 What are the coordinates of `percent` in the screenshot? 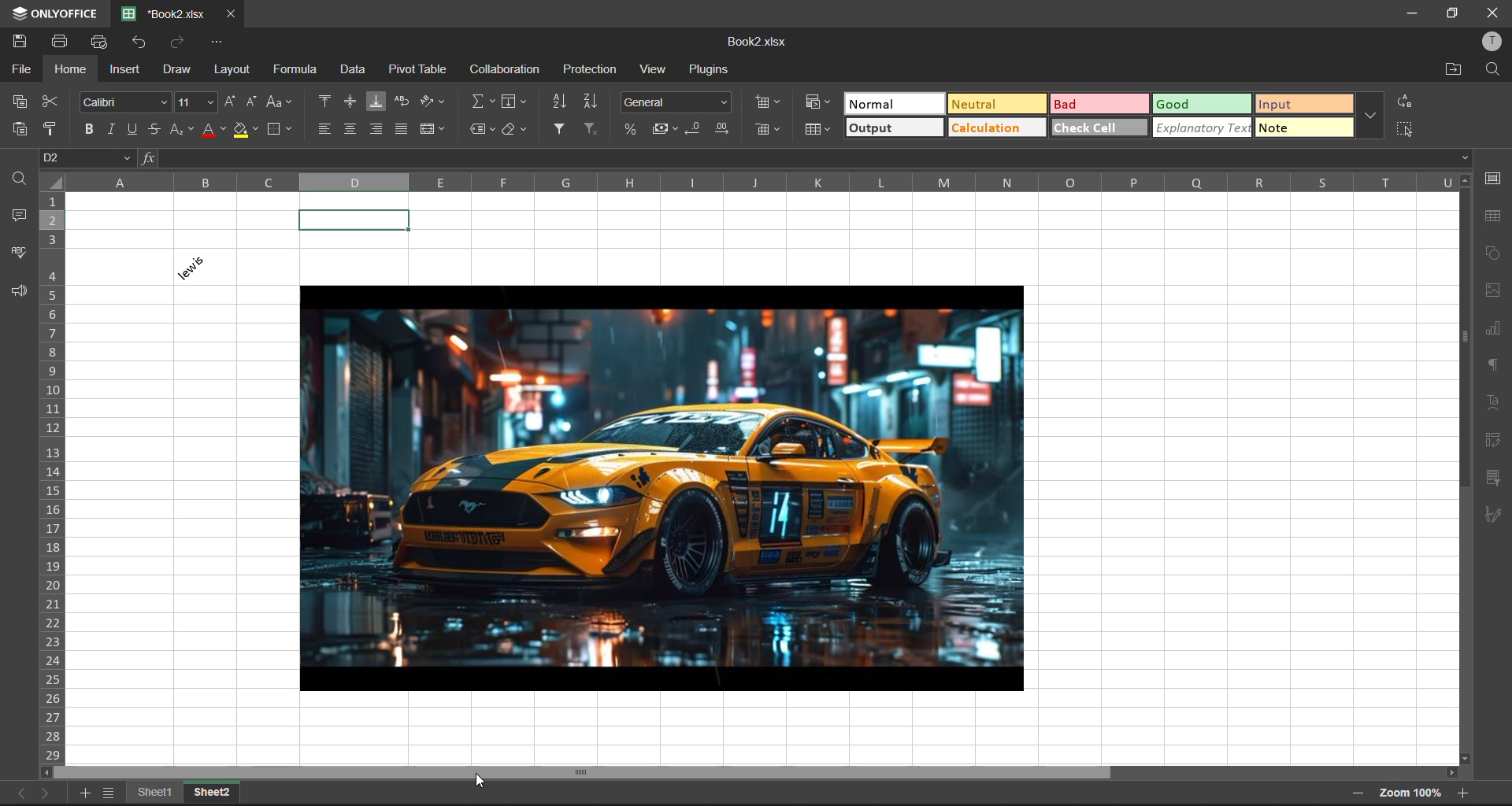 It's located at (632, 131).